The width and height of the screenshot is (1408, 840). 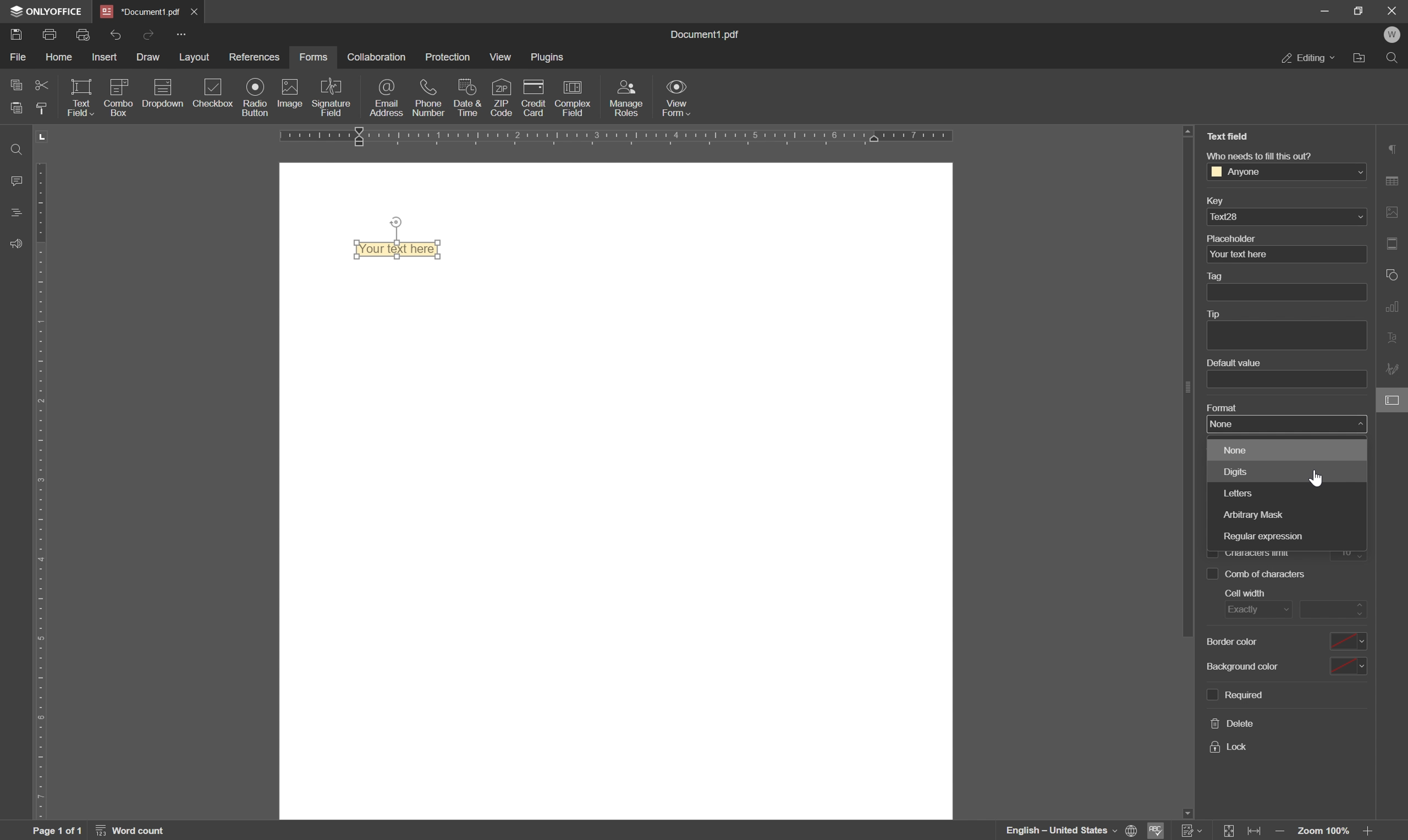 I want to click on Track changes, so click(x=1193, y=832).